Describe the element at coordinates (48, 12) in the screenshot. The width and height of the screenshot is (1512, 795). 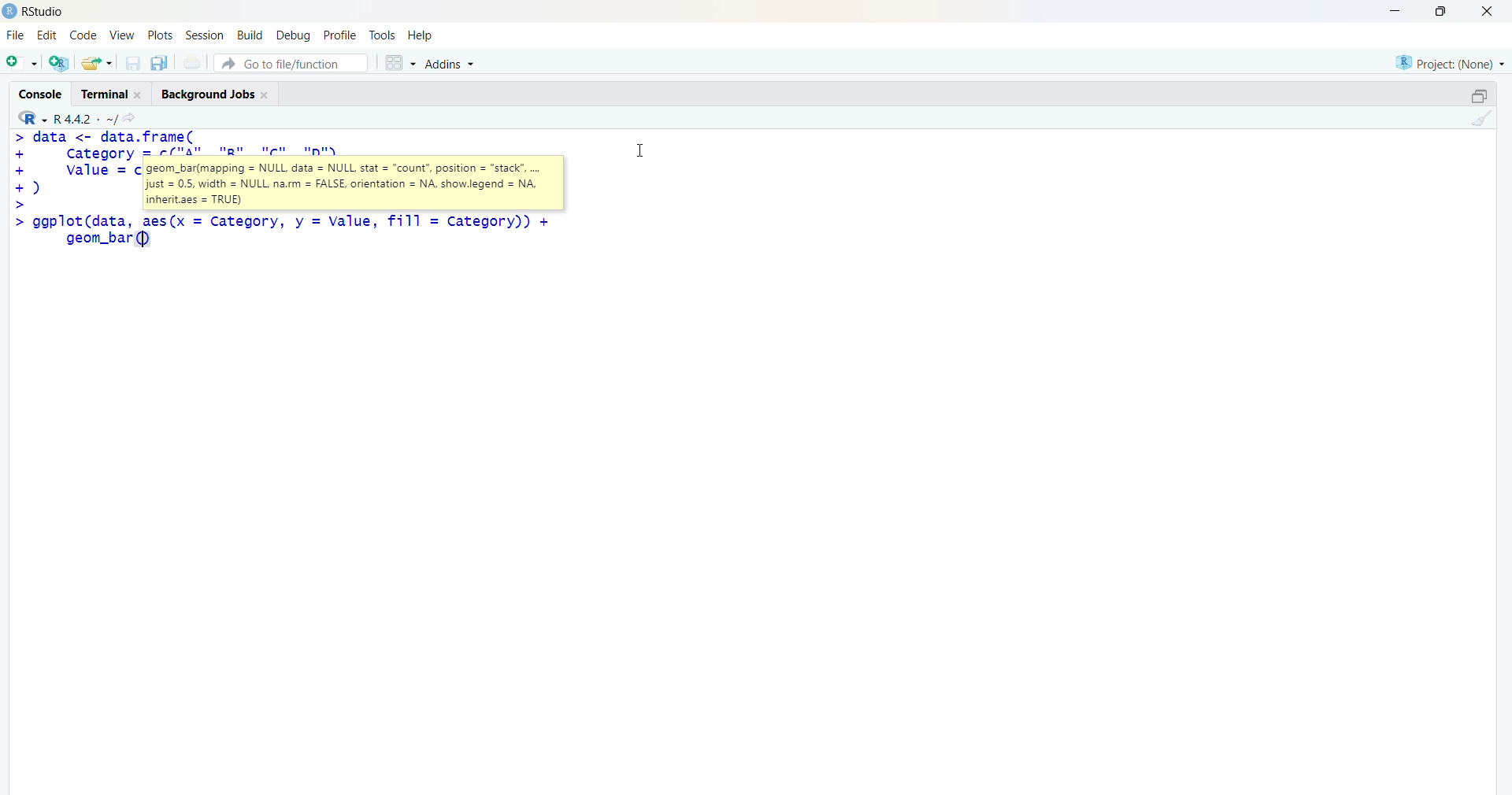
I see `Rstudio` at that location.